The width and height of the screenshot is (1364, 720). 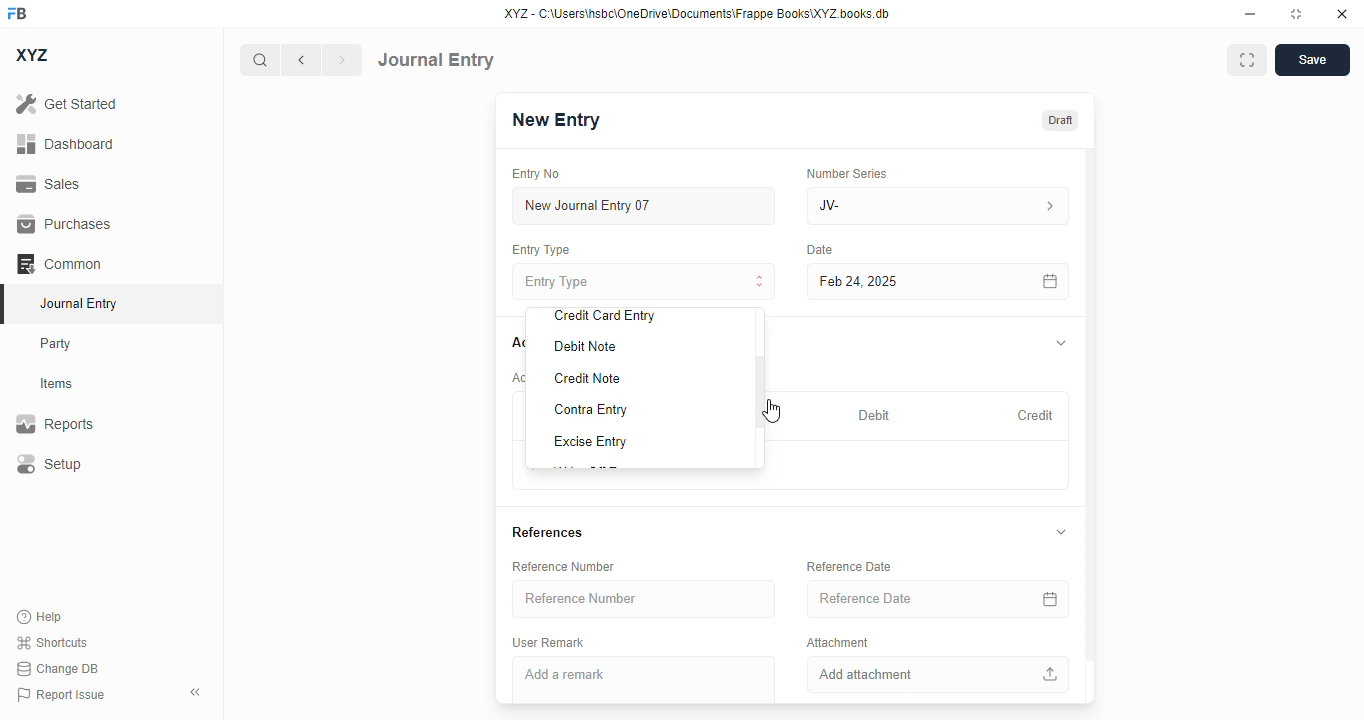 What do you see at coordinates (761, 389) in the screenshot?
I see `scroll bar` at bounding box center [761, 389].